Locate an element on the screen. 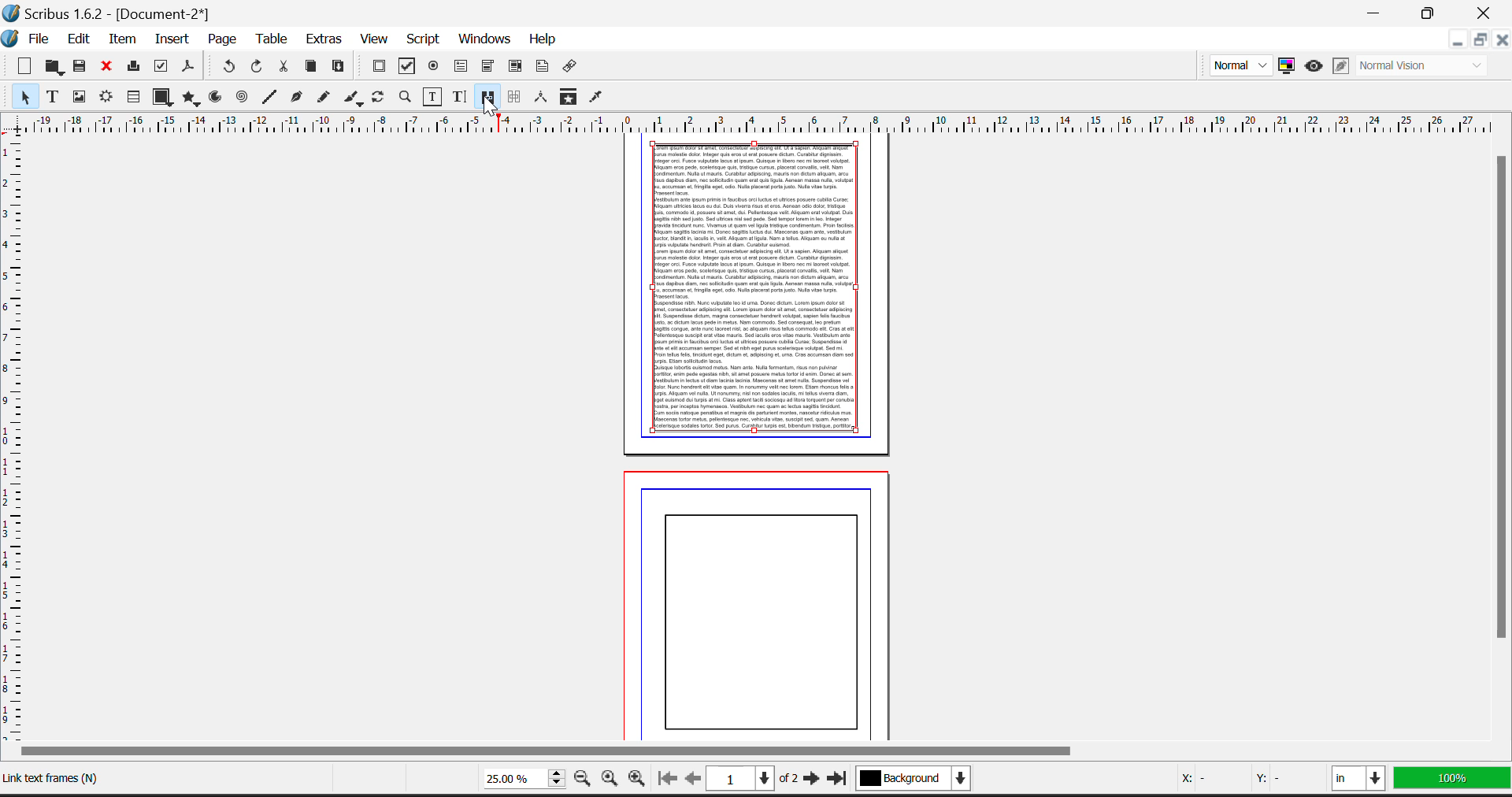 Image resolution: width=1512 pixels, height=797 pixels. Measurements is located at coordinates (542, 98).